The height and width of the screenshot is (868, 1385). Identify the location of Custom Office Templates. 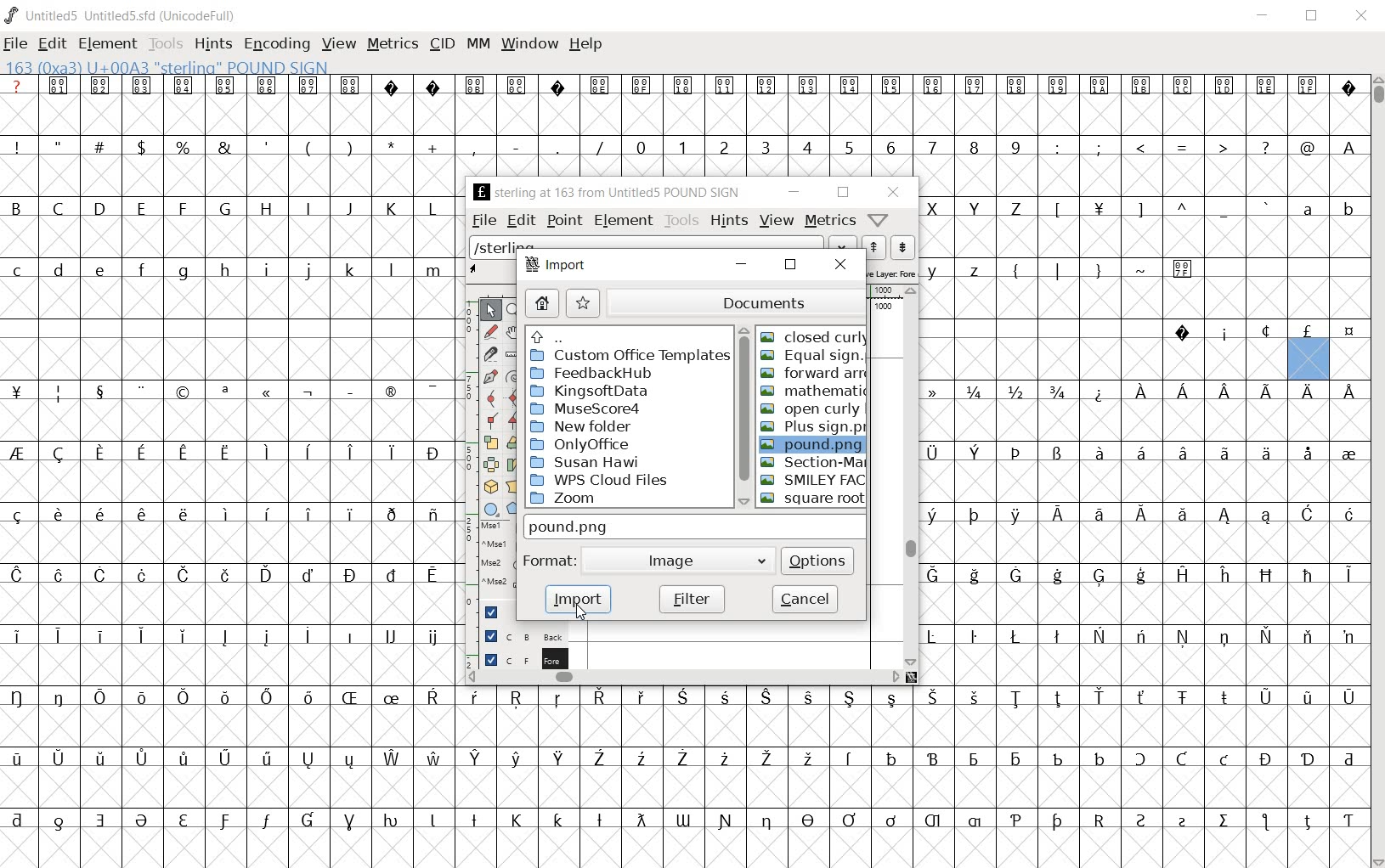
(629, 356).